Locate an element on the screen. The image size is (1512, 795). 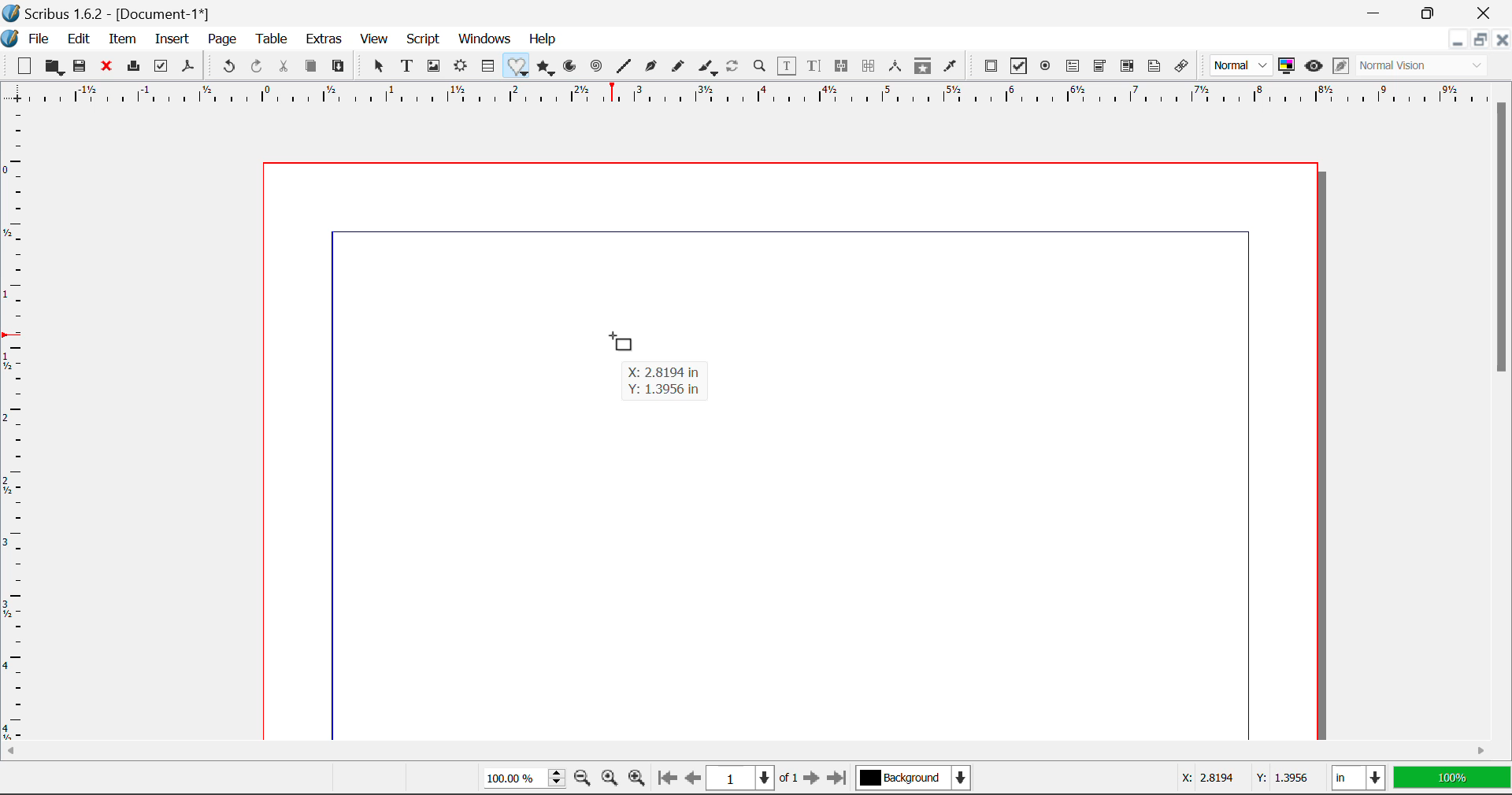
Paste is located at coordinates (342, 65).